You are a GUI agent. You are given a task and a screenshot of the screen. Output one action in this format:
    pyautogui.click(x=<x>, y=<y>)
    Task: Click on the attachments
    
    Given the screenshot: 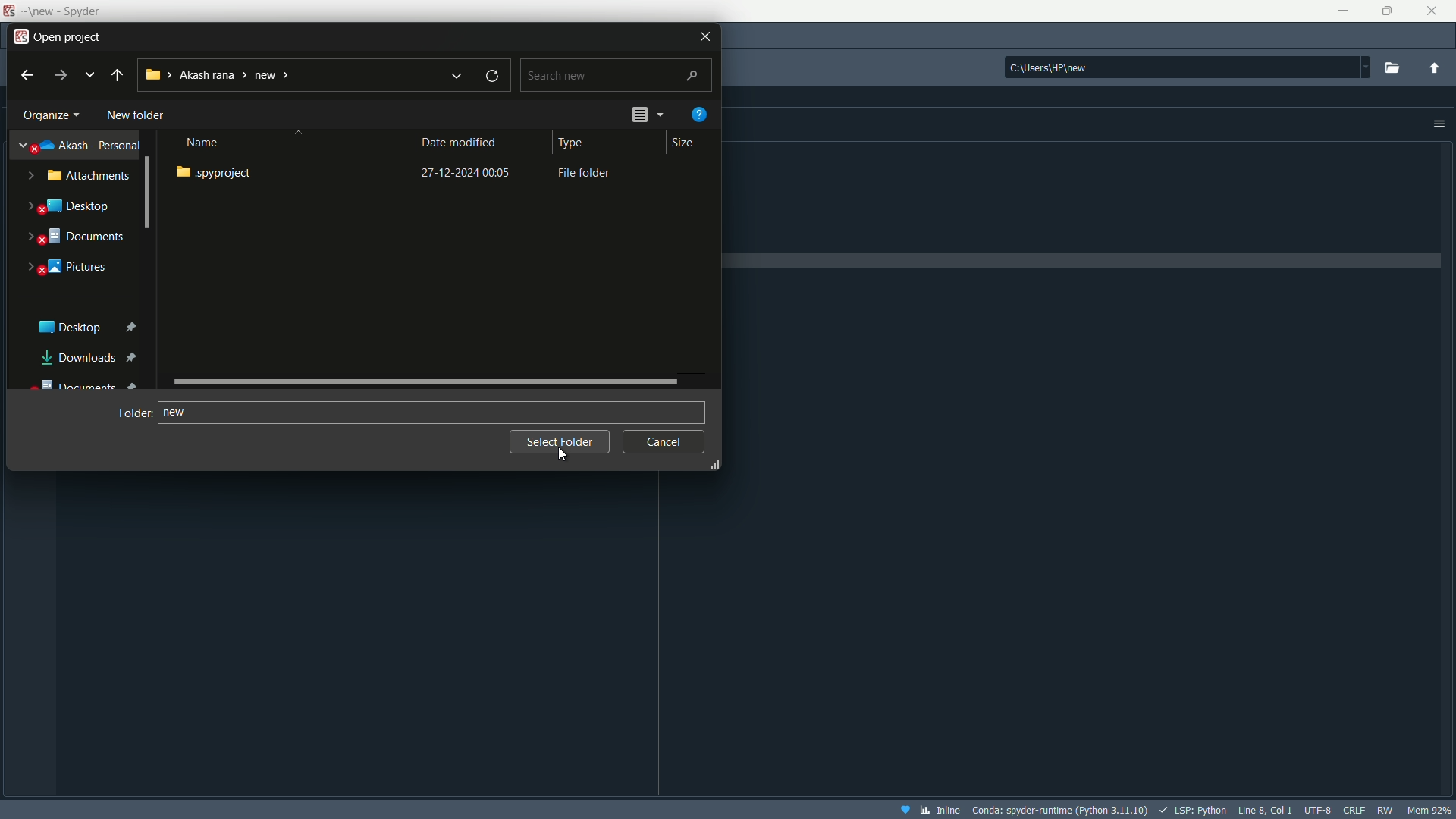 What is the action you would take?
    pyautogui.click(x=79, y=178)
    